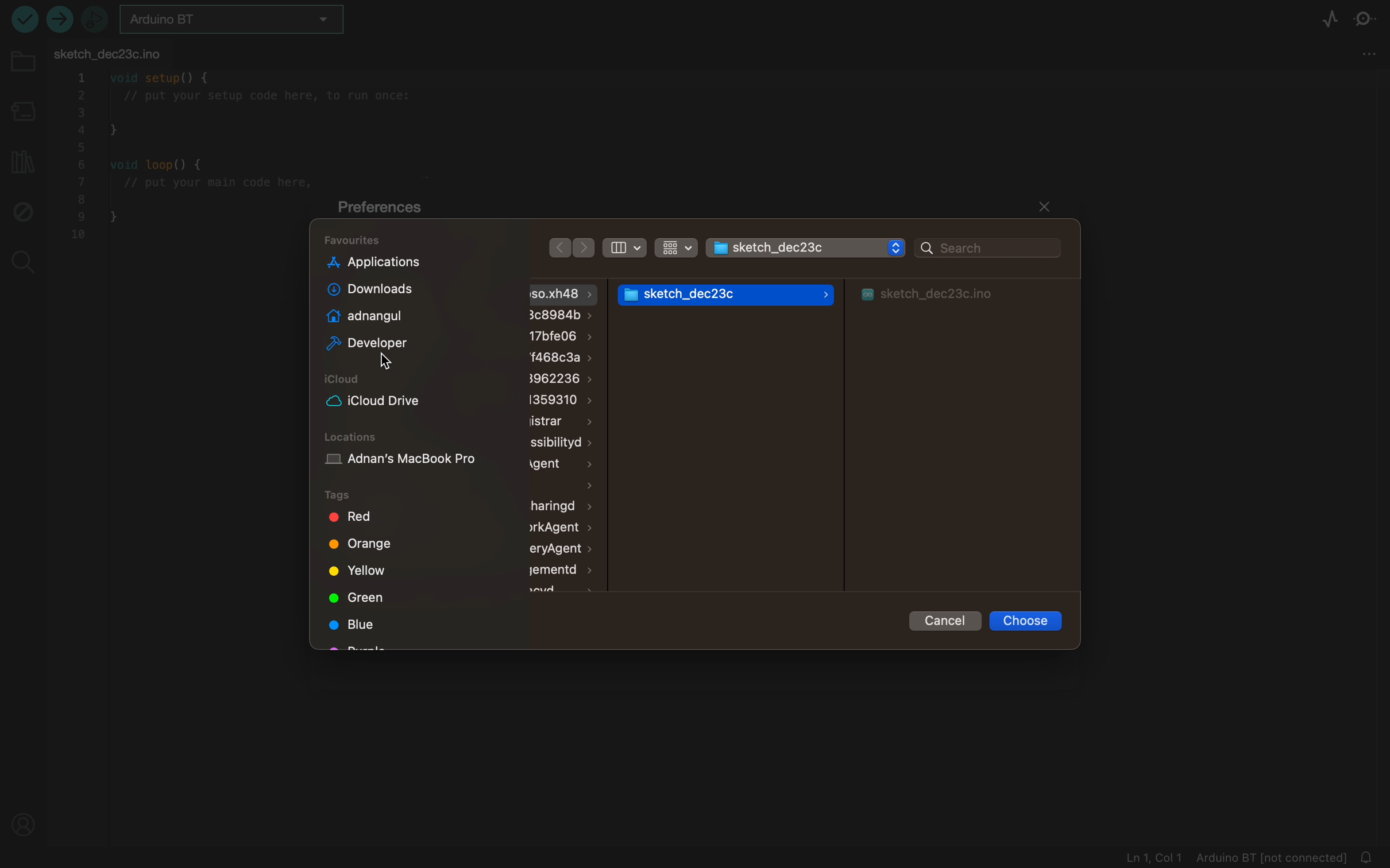 The image size is (1390, 868). Describe the element at coordinates (414, 455) in the screenshot. I see `location` at that location.